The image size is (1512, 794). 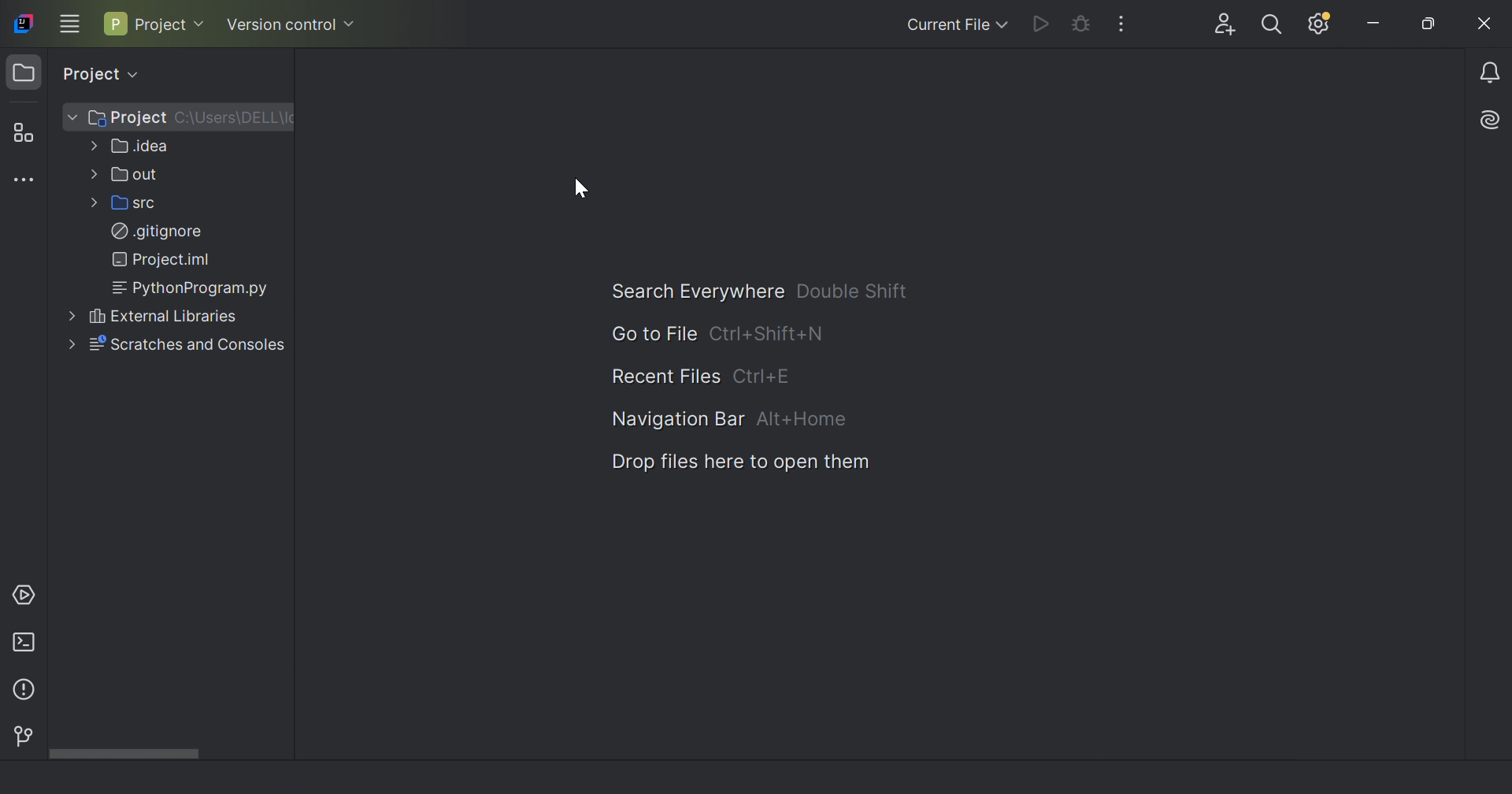 What do you see at coordinates (676, 421) in the screenshot?
I see `Navigation bar` at bounding box center [676, 421].